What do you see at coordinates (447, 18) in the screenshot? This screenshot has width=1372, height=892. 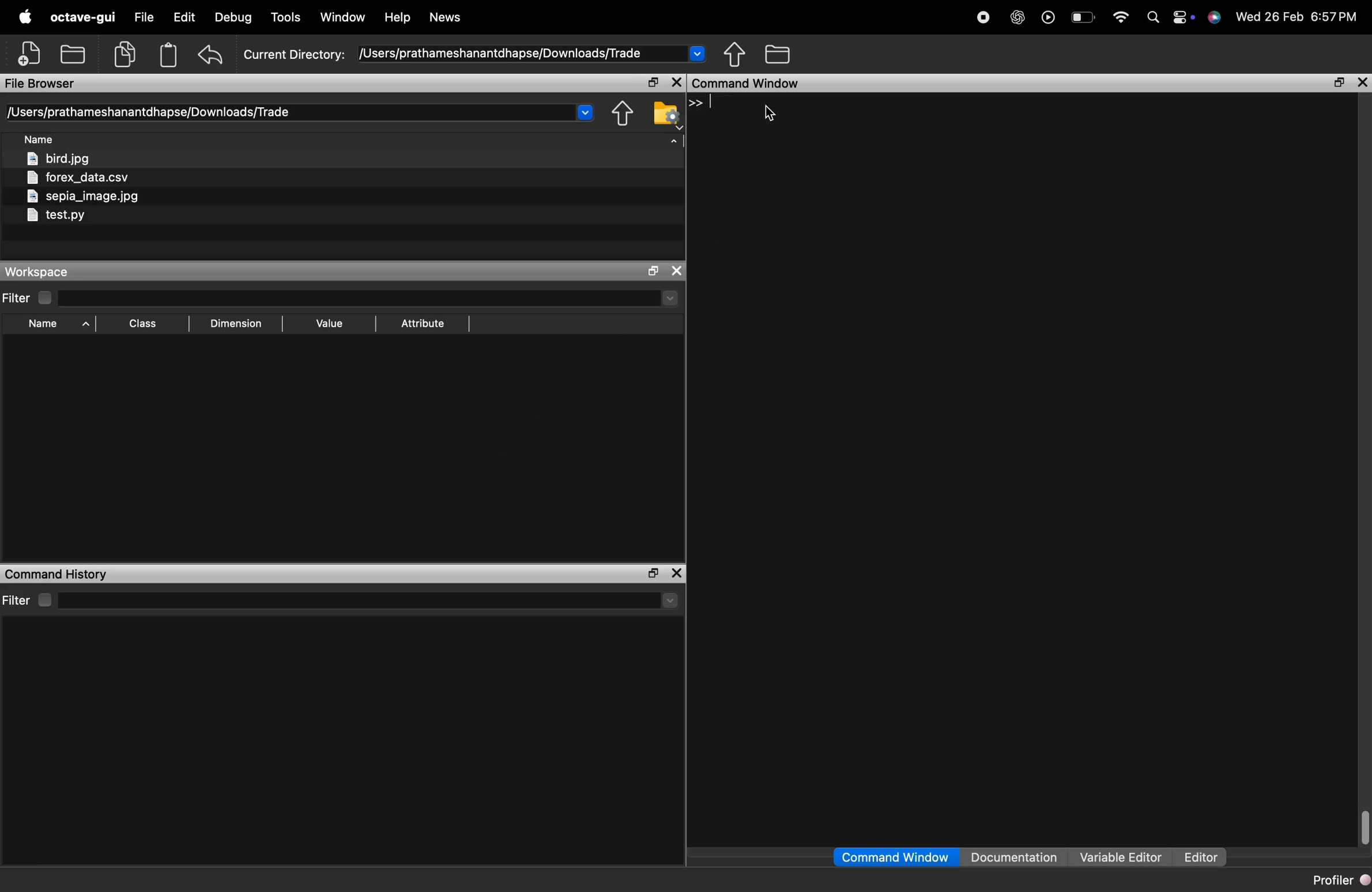 I see `news` at bounding box center [447, 18].